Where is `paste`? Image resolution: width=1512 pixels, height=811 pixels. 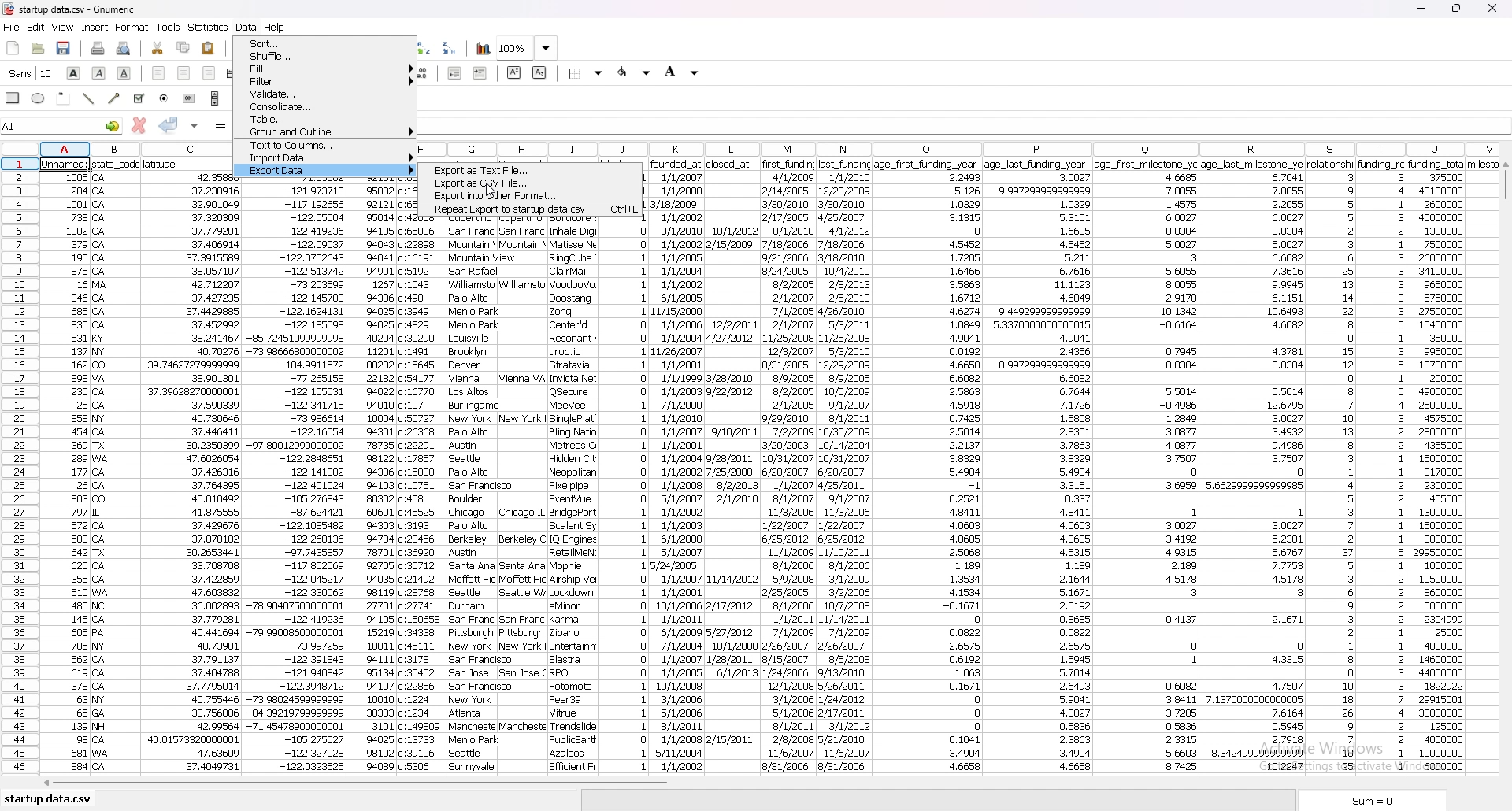 paste is located at coordinates (209, 47).